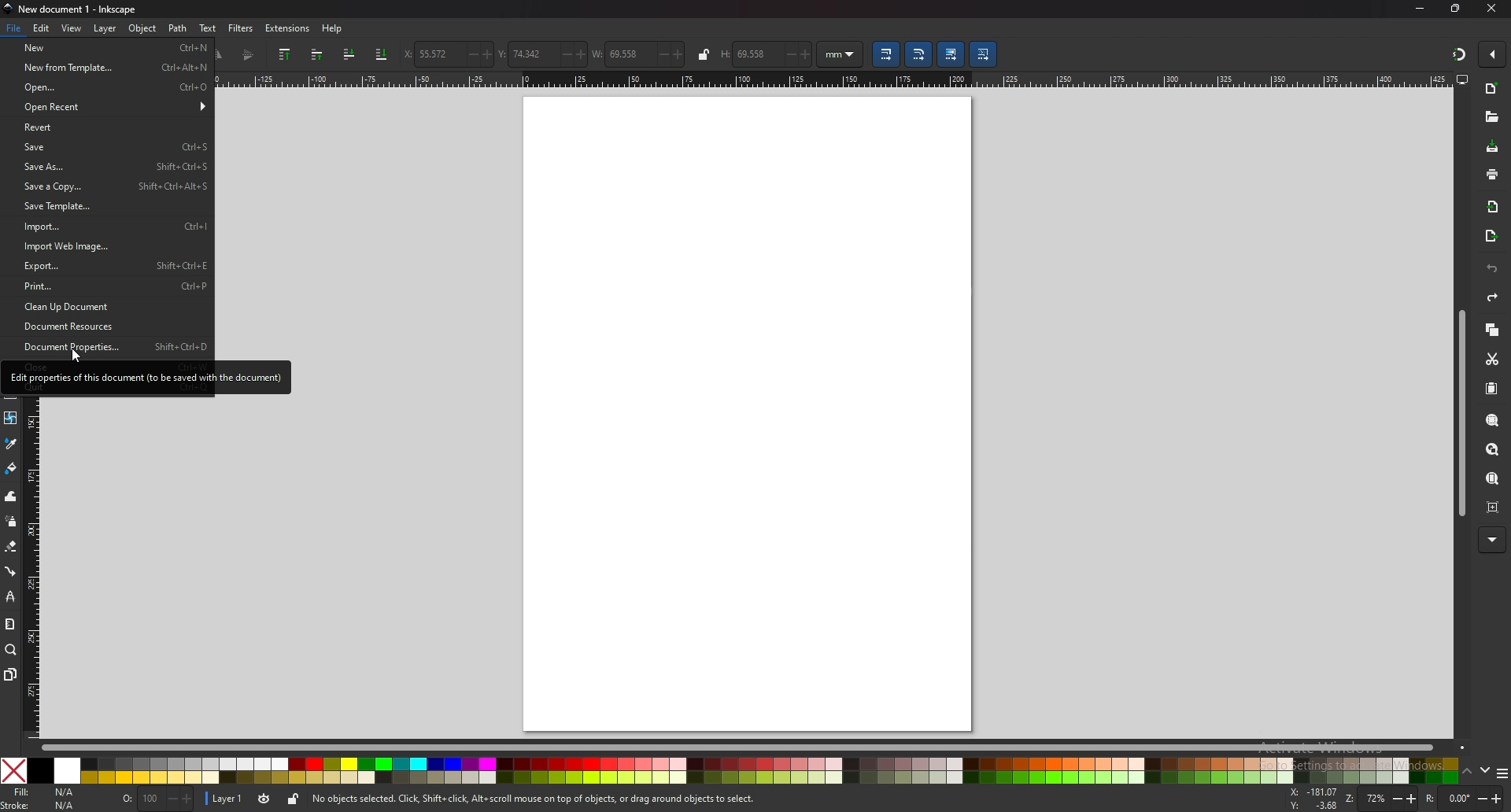  What do you see at coordinates (1457, 54) in the screenshot?
I see `snapping` at bounding box center [1457, 54].